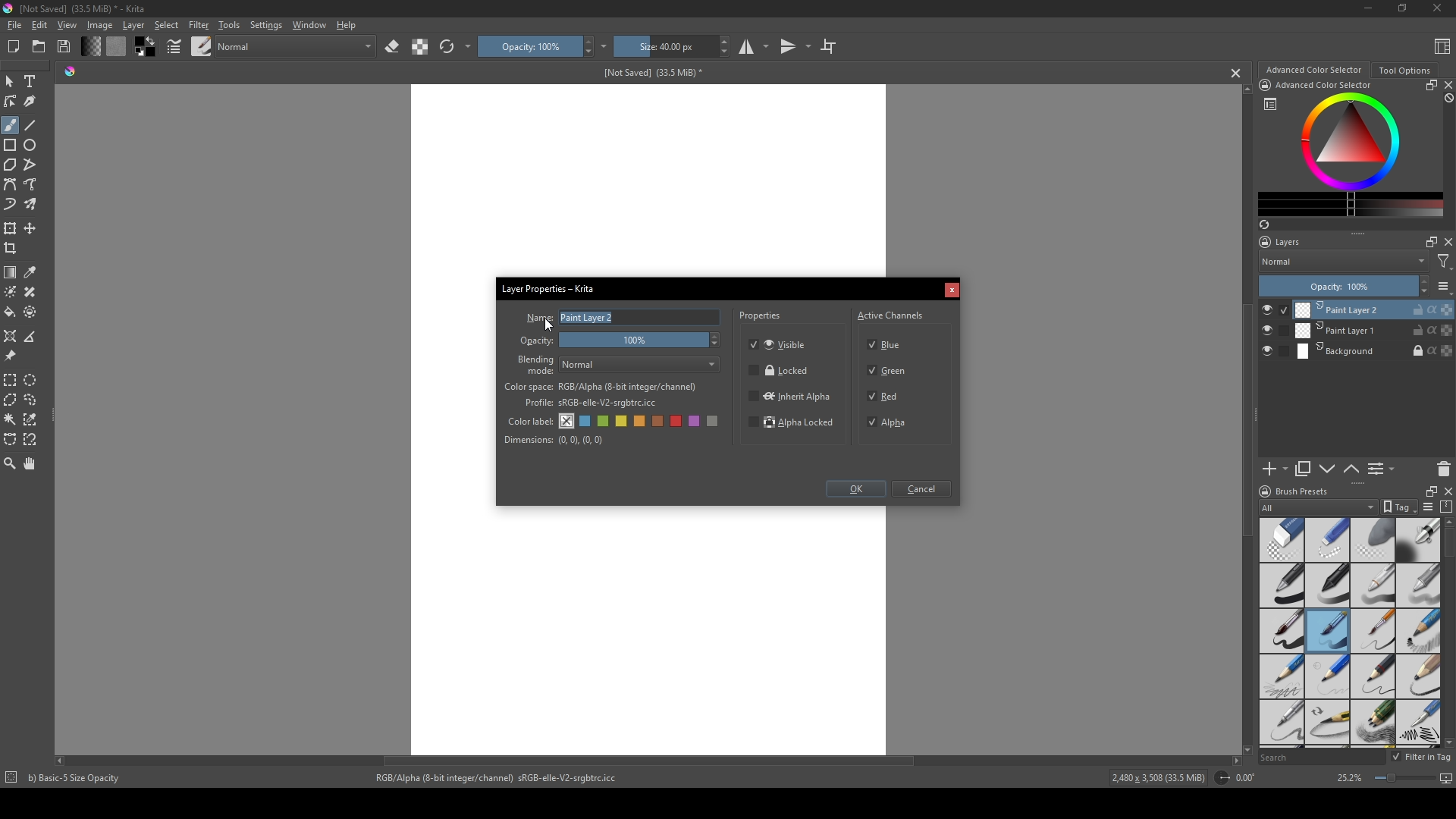 Image resolution: width=1456 pixels, height=819 pixels. I want to click on crop, so click(14, 248).